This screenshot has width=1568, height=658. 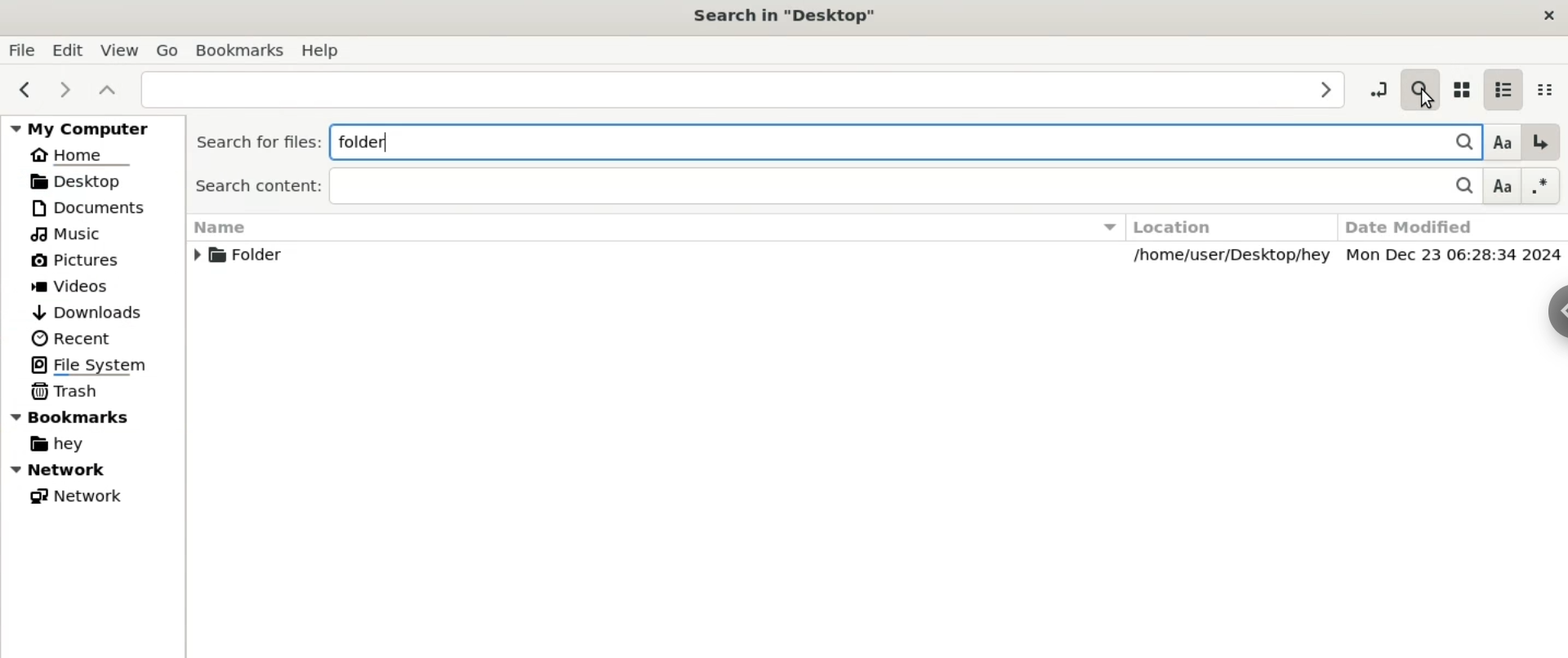 I want to click on Search, so click(x=1419, y=86).